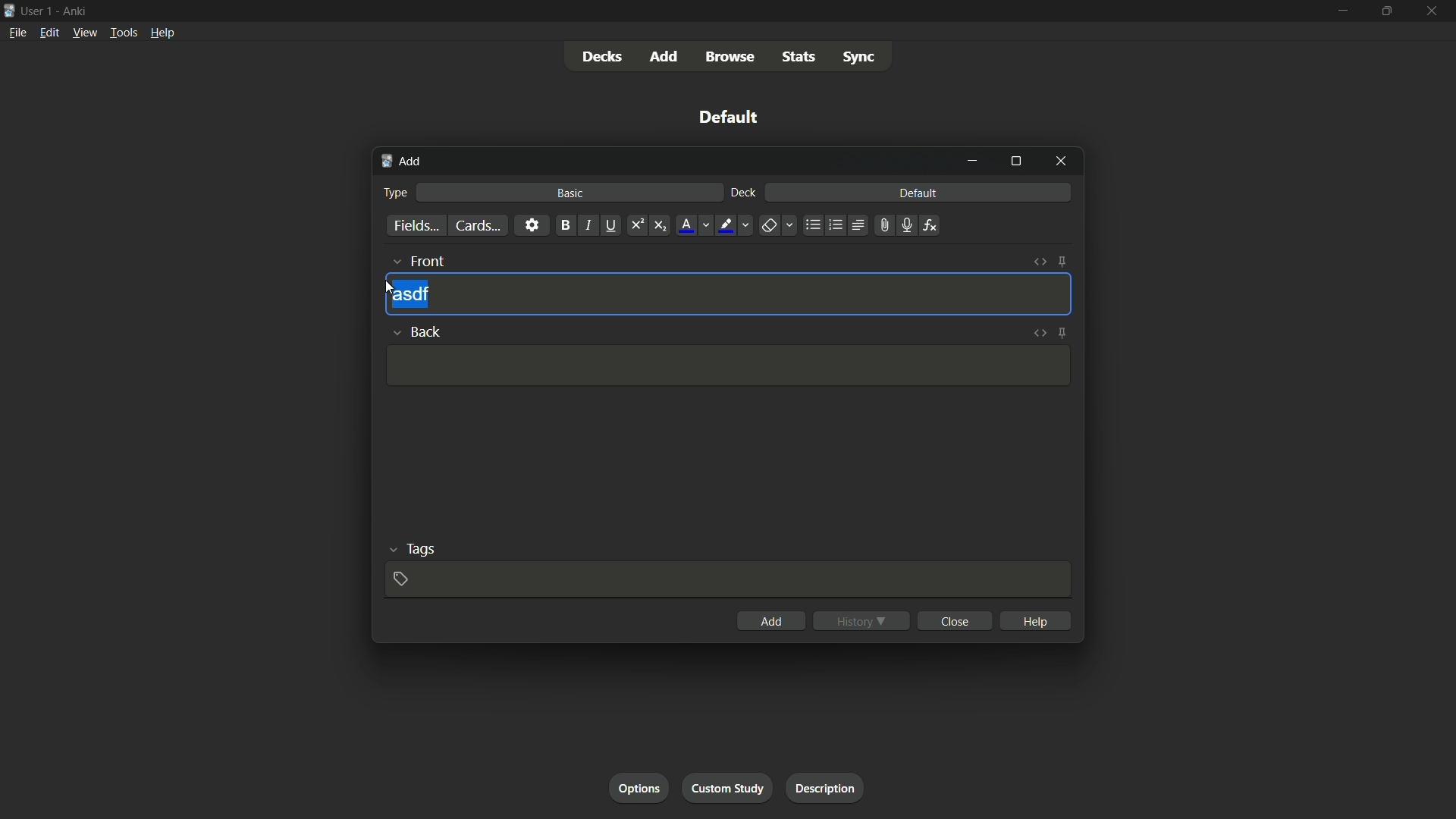 This screenshot has height=819, width=1456. Describe the element at coordinates (799, 58) in the screenshot. I see `stats` at that location.